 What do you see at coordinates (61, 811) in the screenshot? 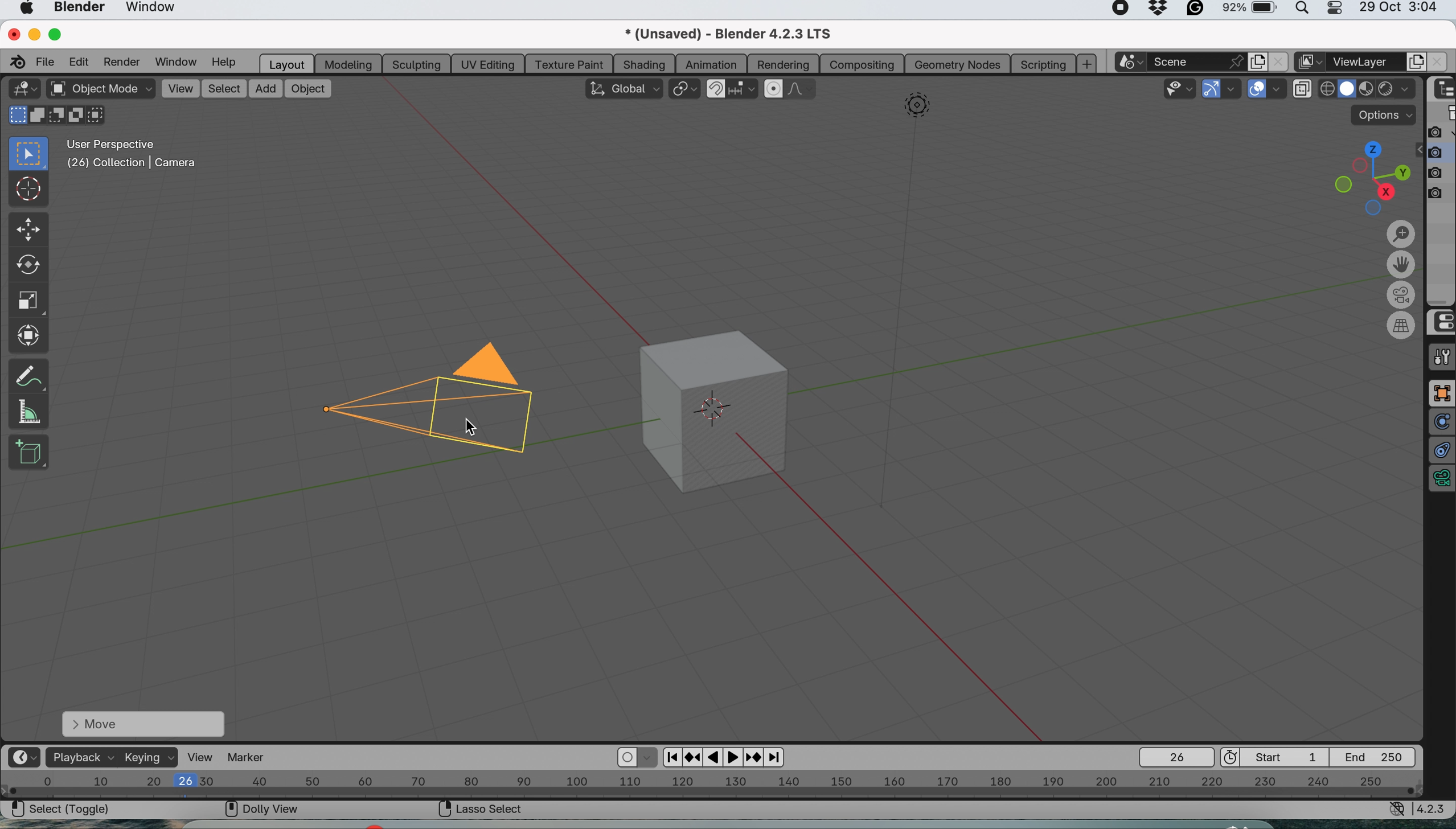
I see `select| Toggle` at bounding box center [61, 811].